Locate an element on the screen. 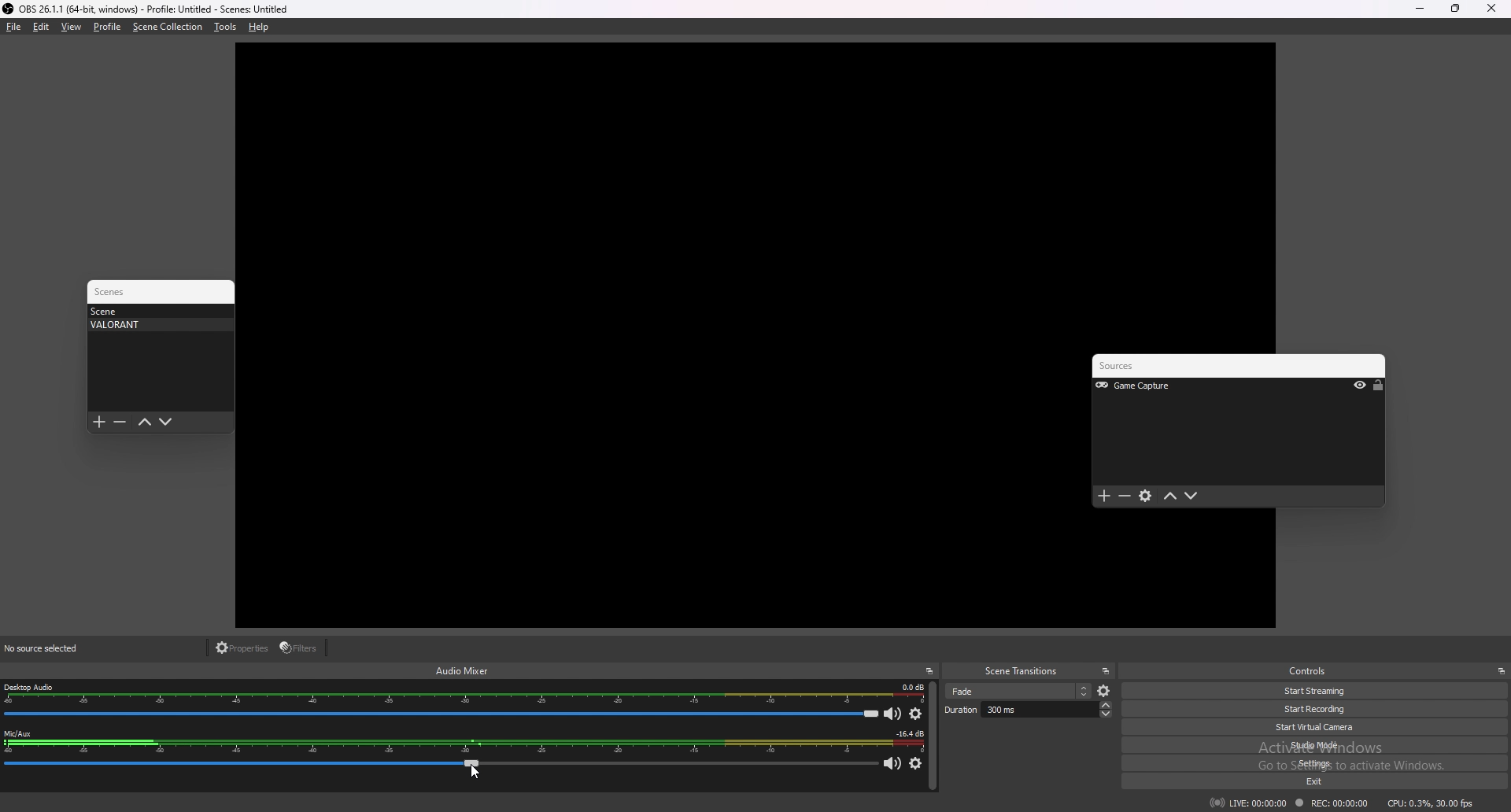 The width and height of the screenshot is (1511, 812). duration is located at coordinates (1028, 709).